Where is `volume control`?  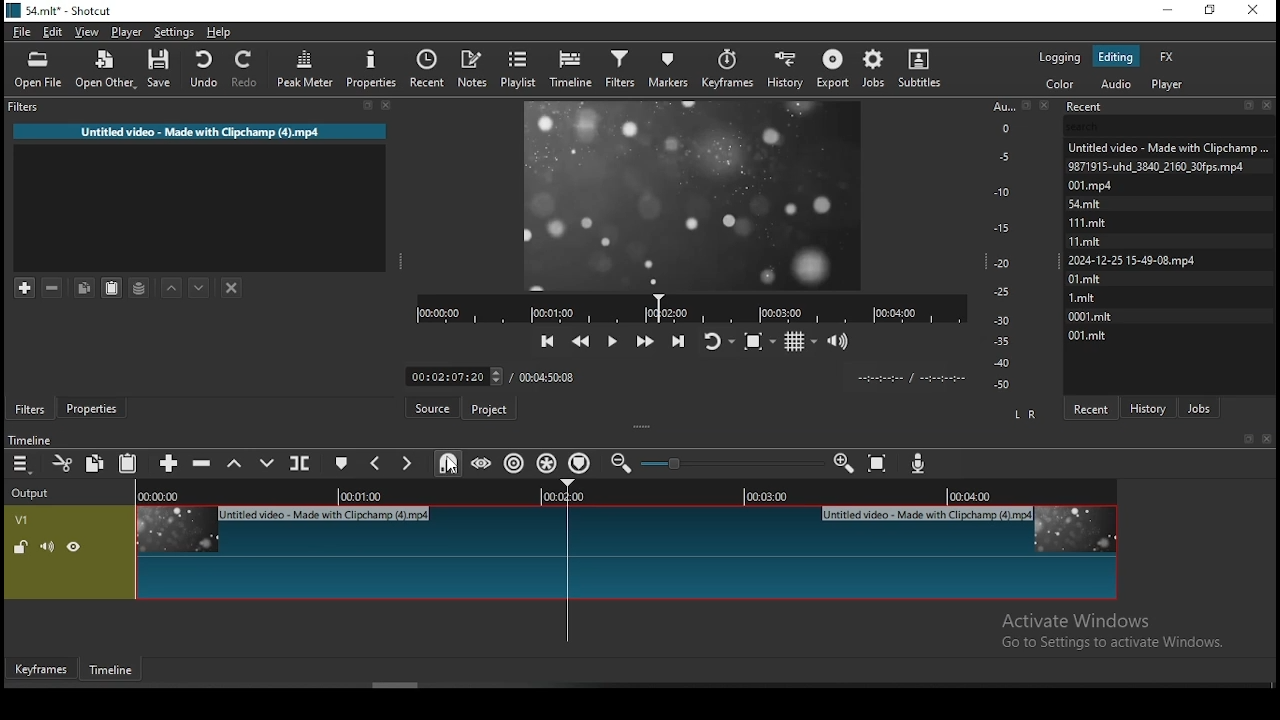
volume control is located at coordinates (839, 342).